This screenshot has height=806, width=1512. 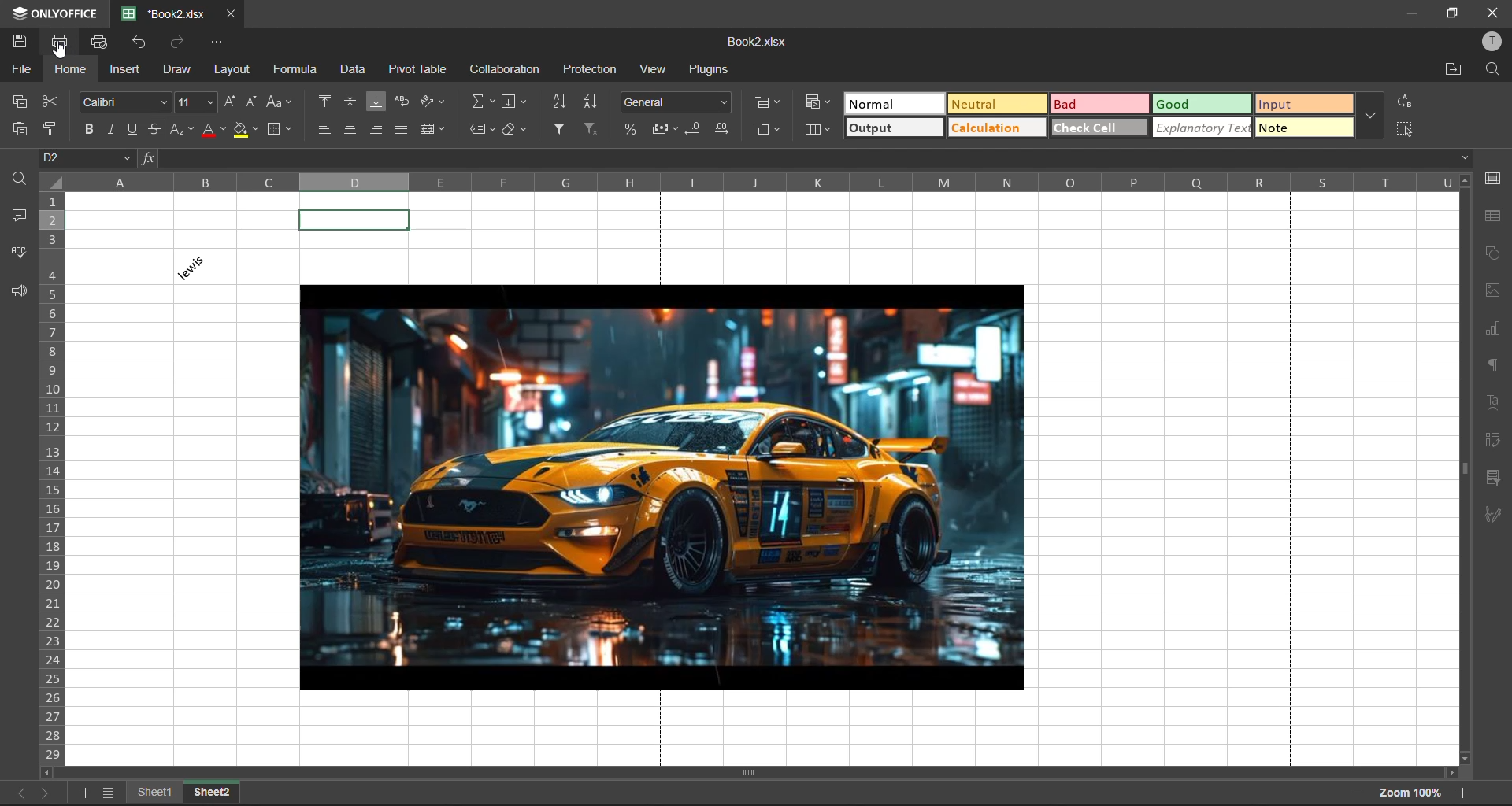 What do you see at coordinates (1493, 401) in the screenshot?
I see `text` at bounding box center [1493, 401].